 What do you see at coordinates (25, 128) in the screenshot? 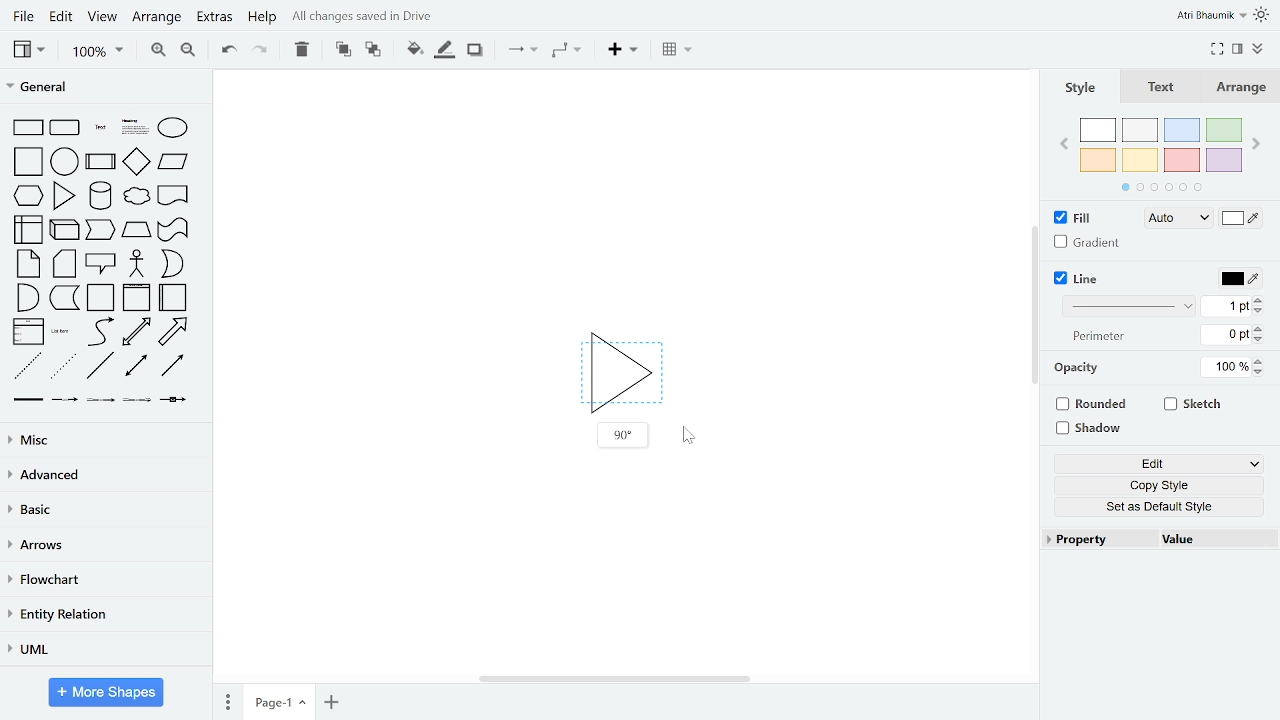
I see `rectangle` at bounding box center [25, 128].